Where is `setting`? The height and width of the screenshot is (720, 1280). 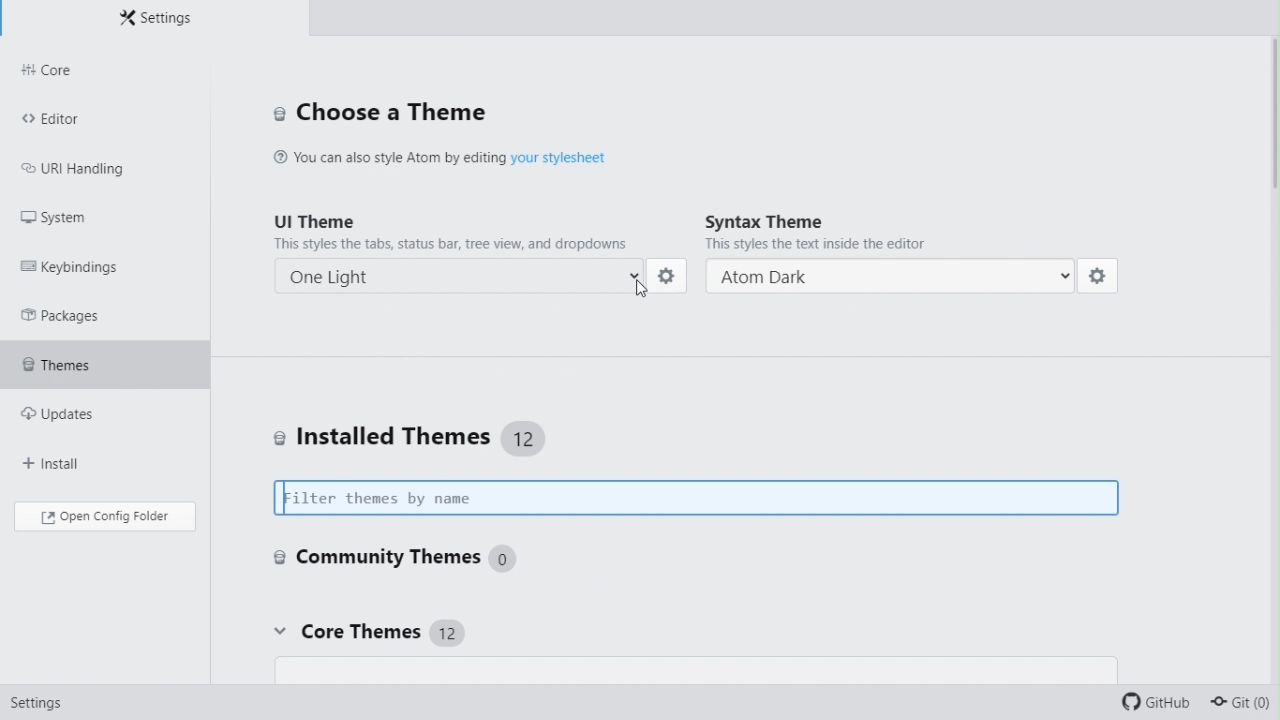
setting is located at coordinates (669, 278).